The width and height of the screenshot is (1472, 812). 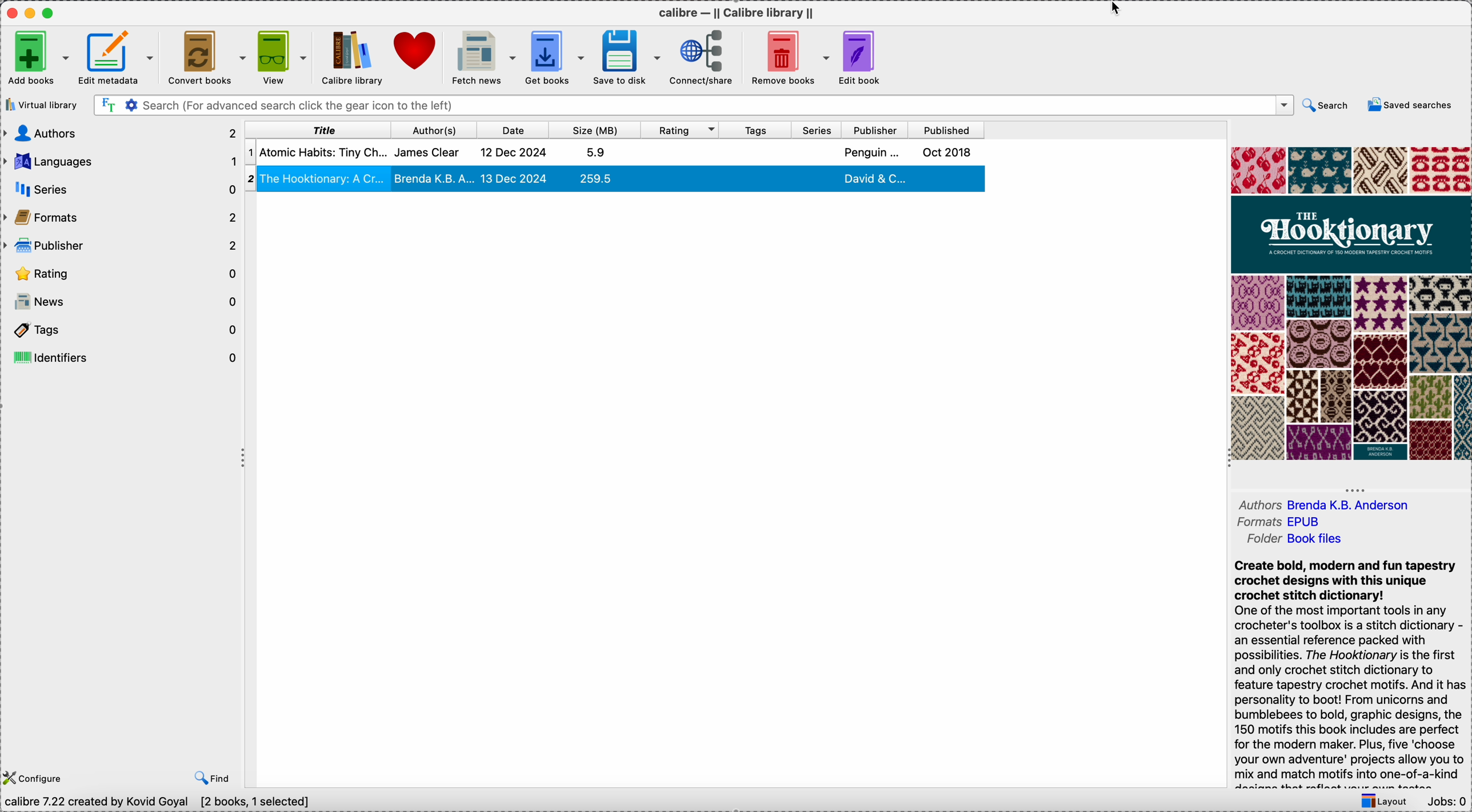 I want to click on search bar, so click(x=694, y=106).